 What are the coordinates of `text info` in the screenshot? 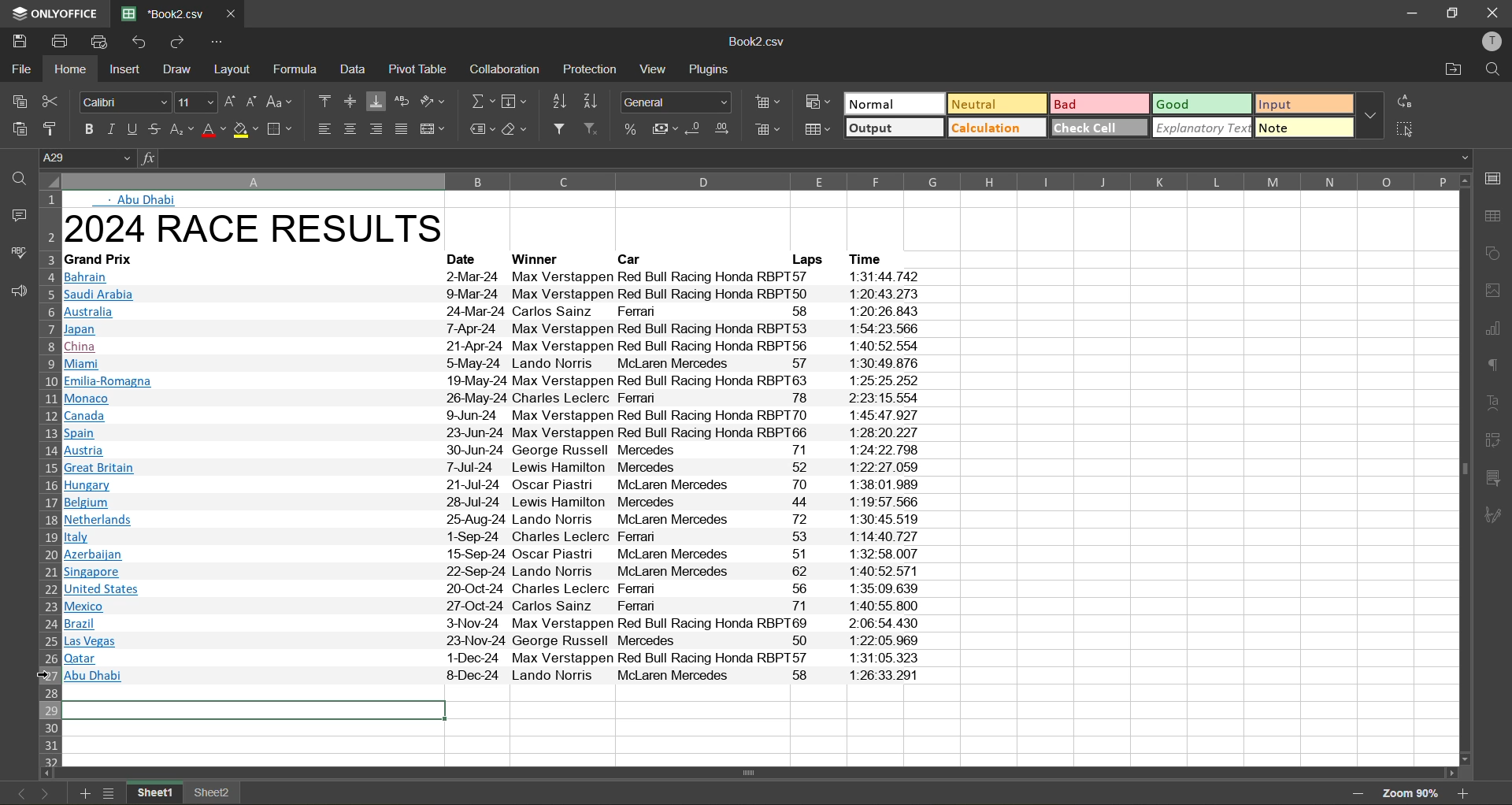 It's located at (493, 278).